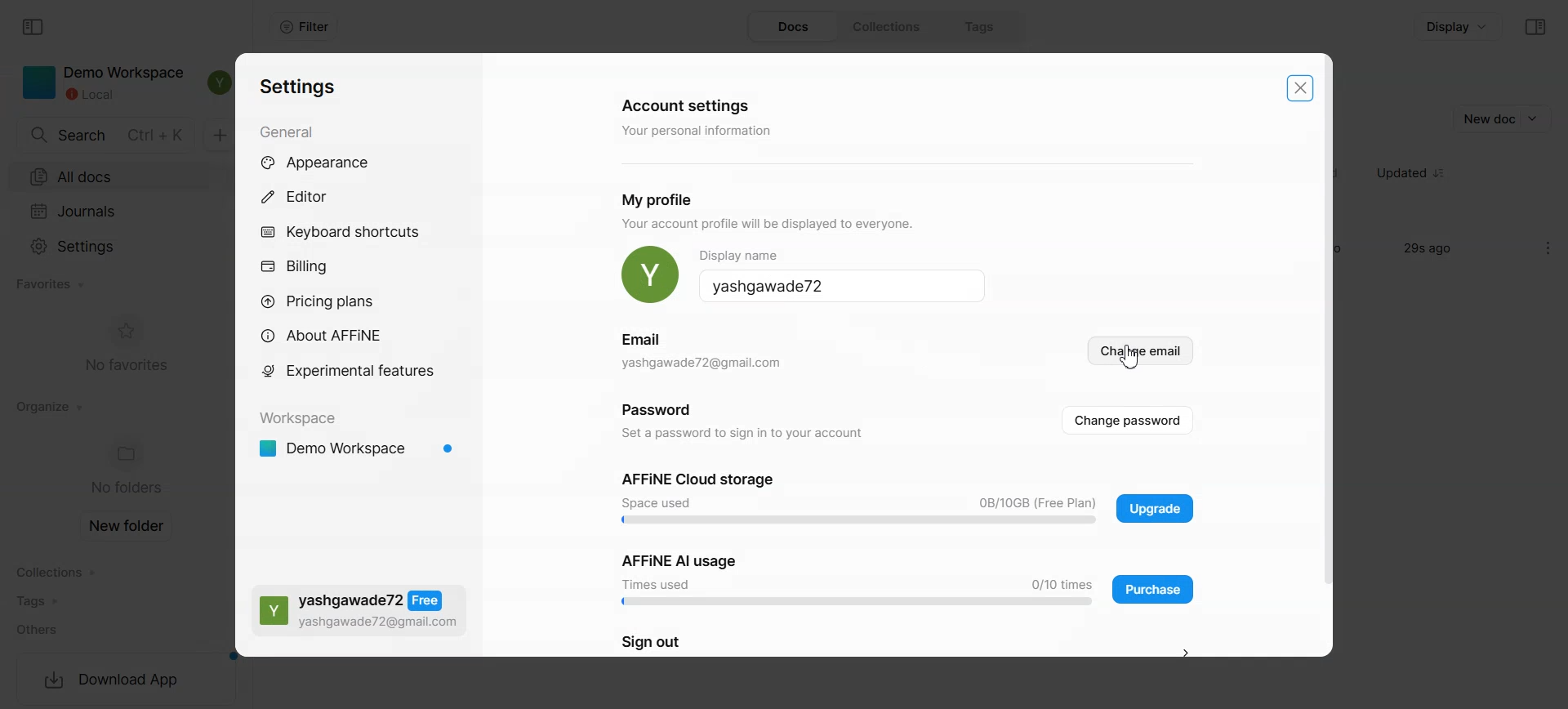  I want to click on password, so click(655, 408).